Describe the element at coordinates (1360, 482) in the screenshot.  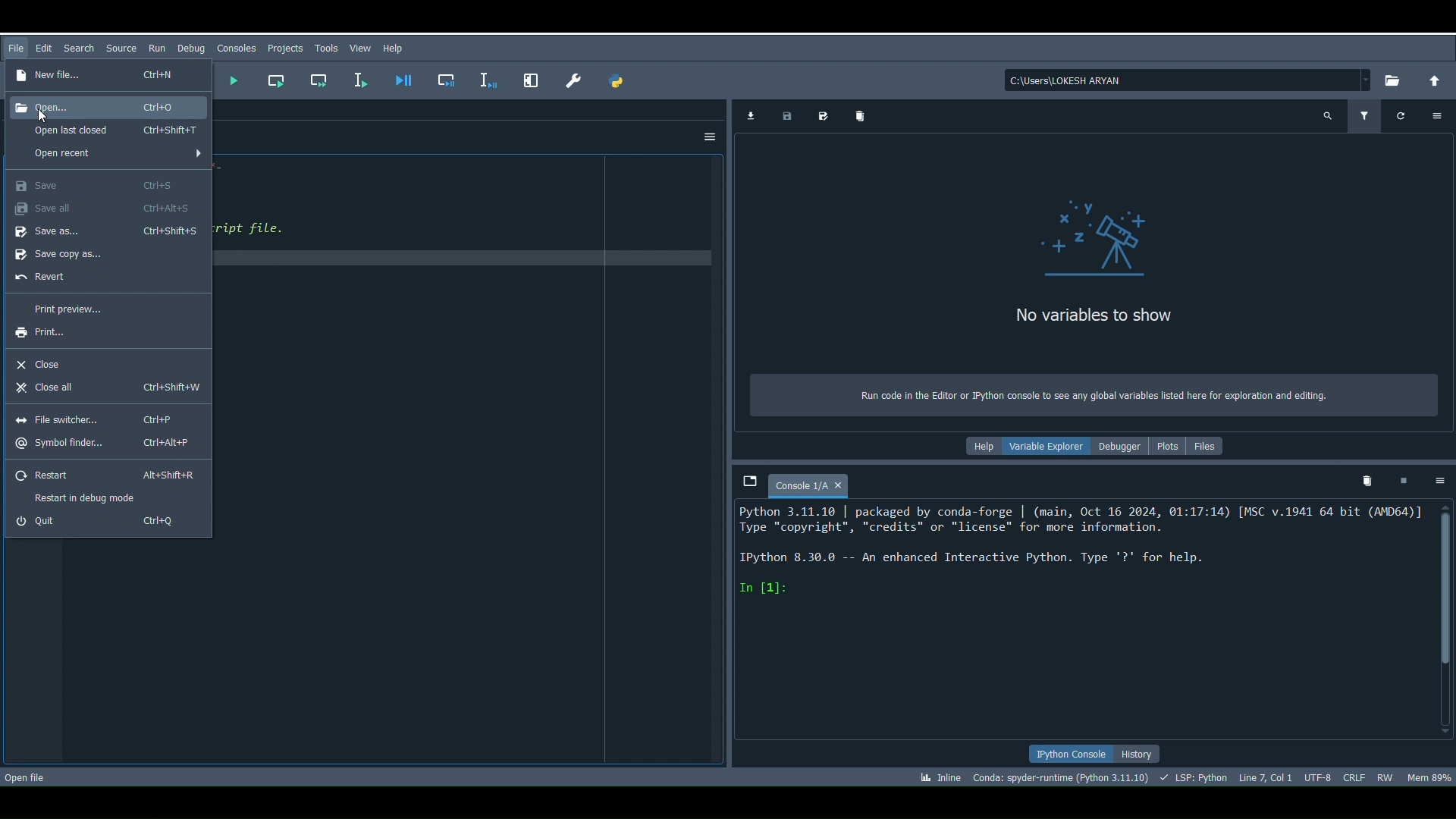
I see `Remove all variables from namespace` at that location.